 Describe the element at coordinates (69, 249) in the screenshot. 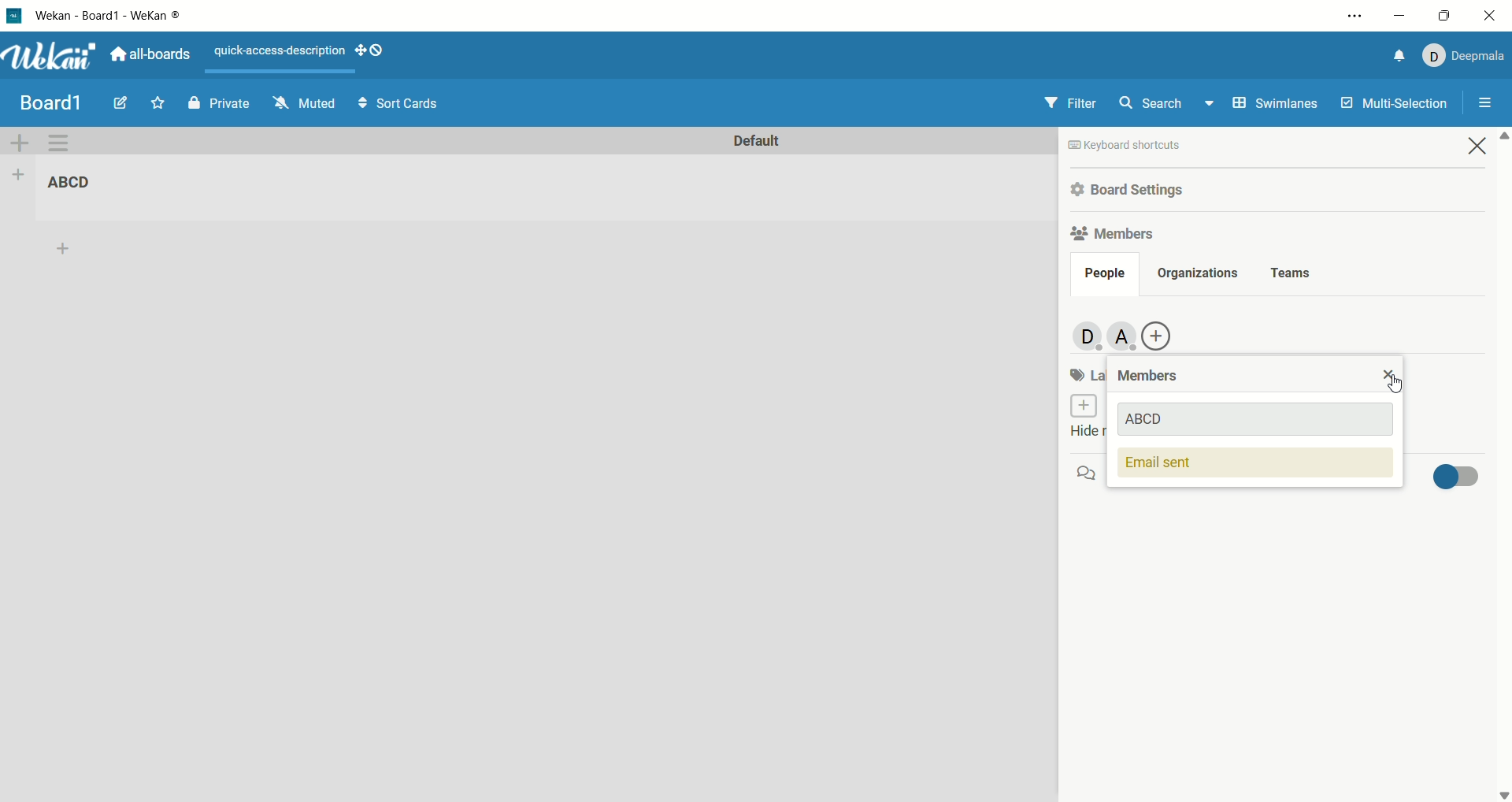

I see `add` at that location.